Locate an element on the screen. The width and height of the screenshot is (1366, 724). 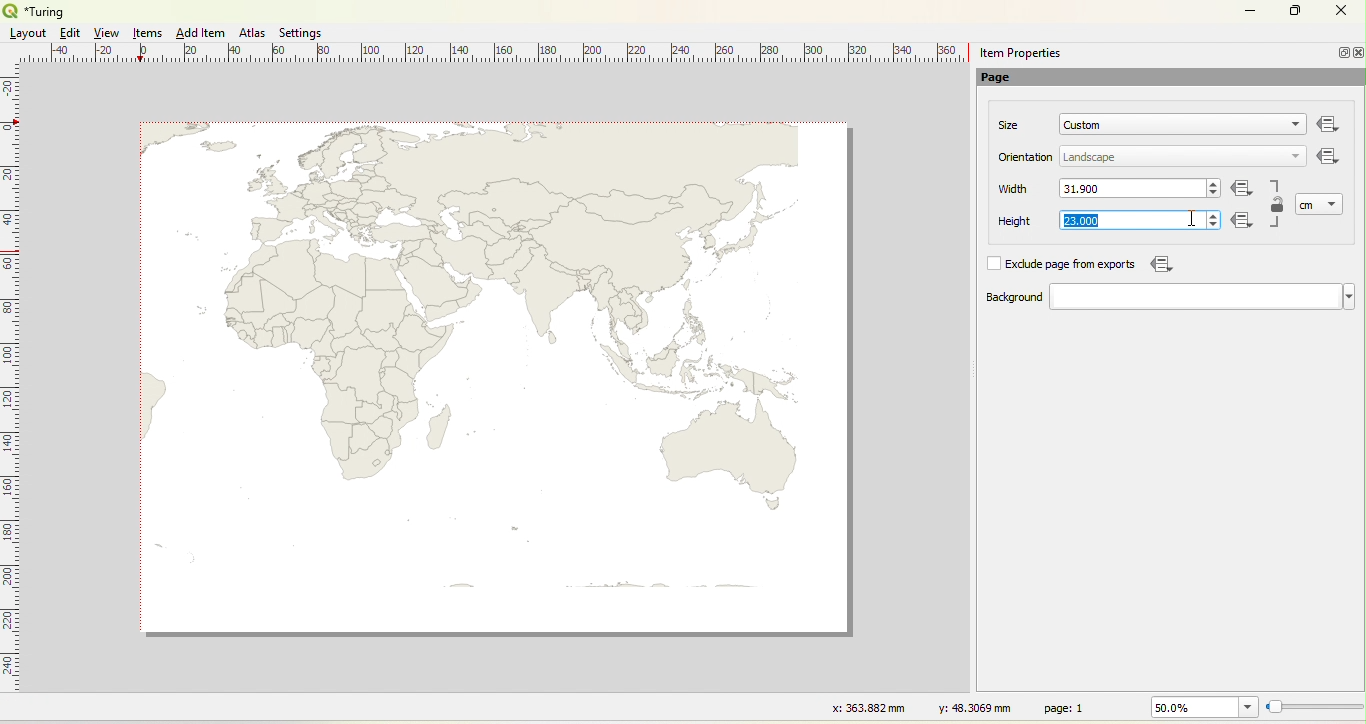
Close is located at coordinates (1340, 13).